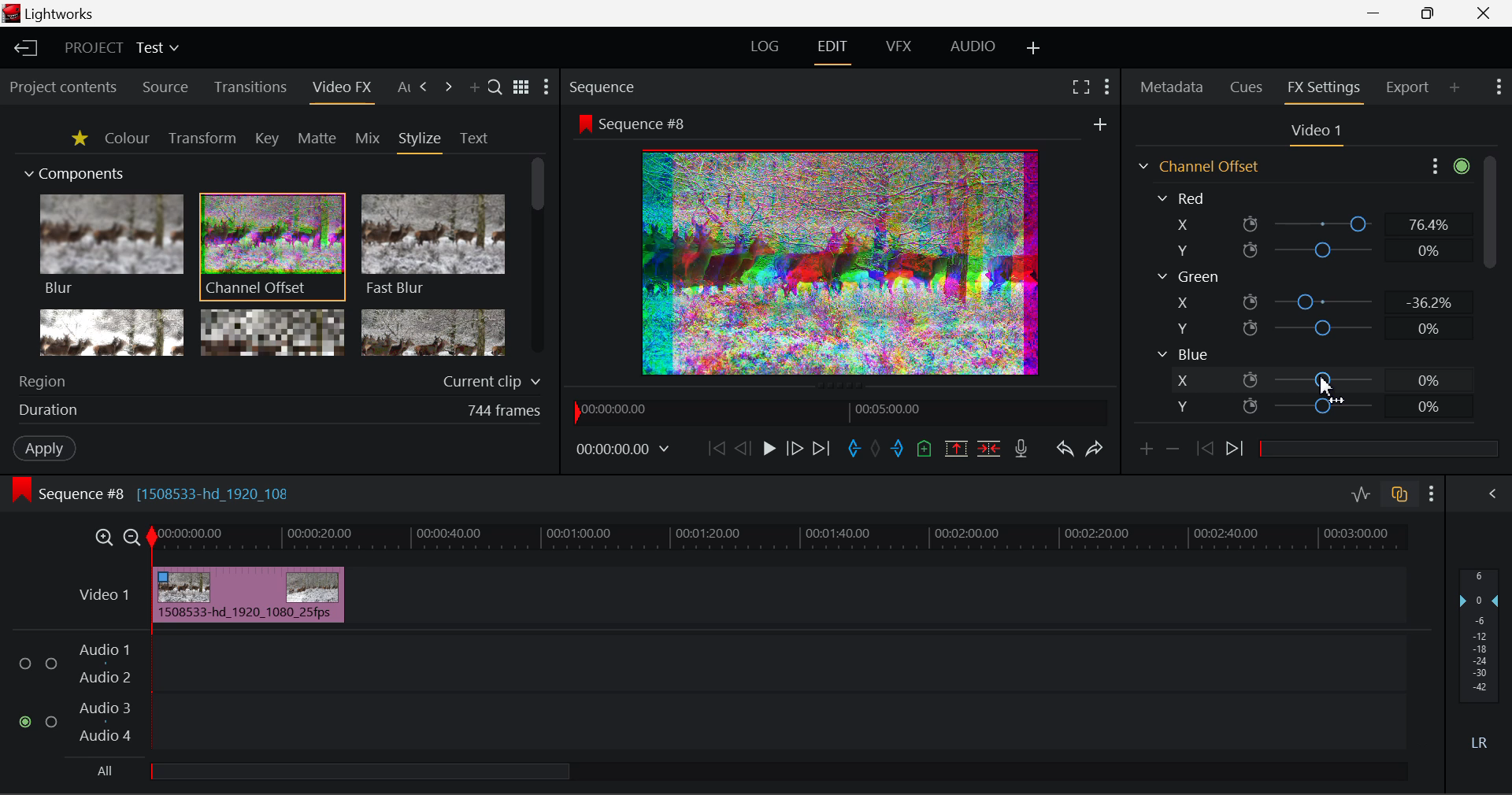 This screenshot has width=1512, height=795. Describe the element at coordinates (1106, 89) in the screenshot. I see `Show Settings` at that location.